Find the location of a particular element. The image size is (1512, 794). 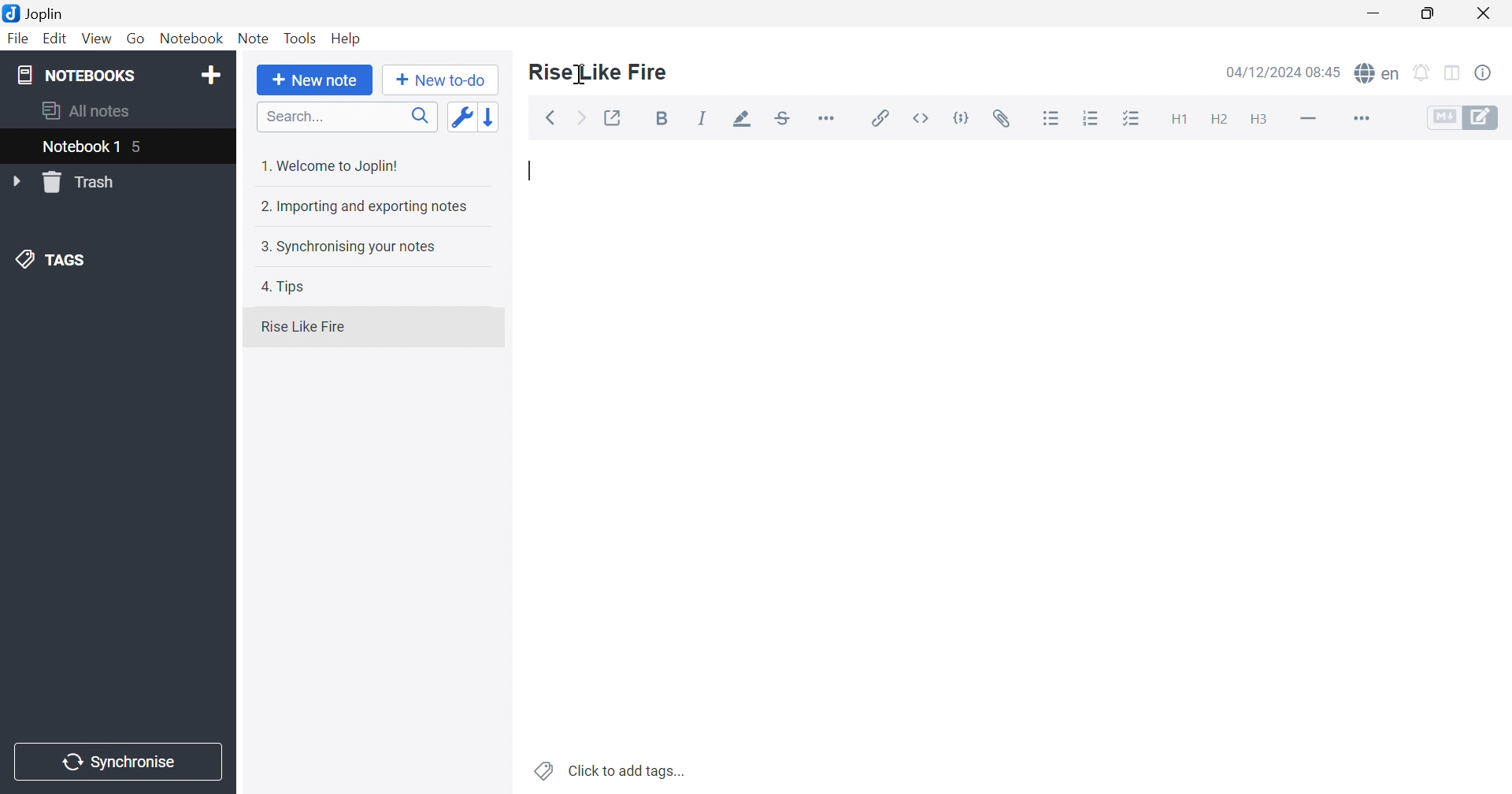

Notebook is located at coordinates (195, 38).